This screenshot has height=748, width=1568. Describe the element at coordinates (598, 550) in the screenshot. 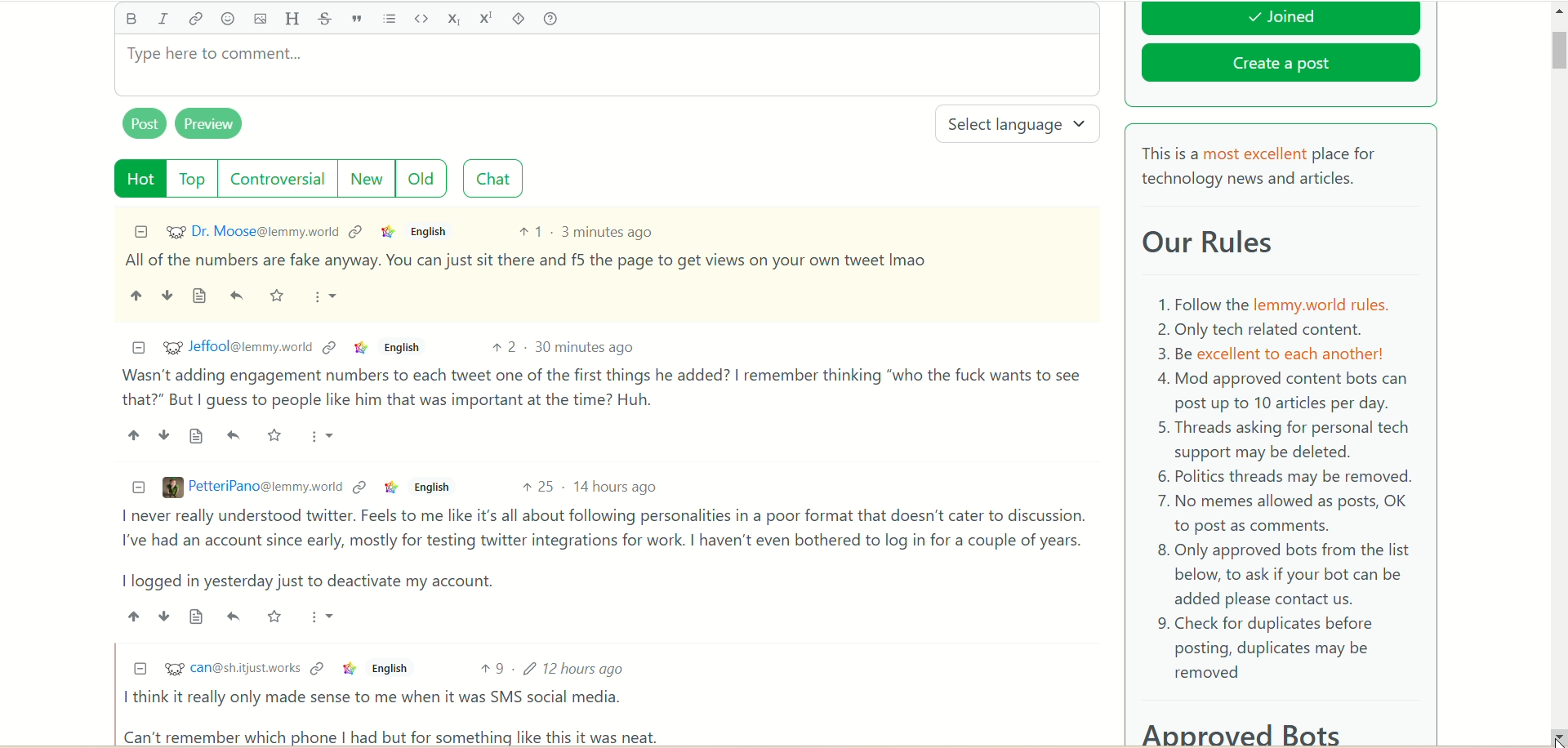

I see `| never really understood twitter. Feels to me like it’s all about following personalities in a poor format that doesn’t cater to discussion.
I've had an account since early, mostly for testing twitter integrations for work. I haven't even bothered to log in for a couple of years.
I logged in yesterday just to deactivate my account.` at that location.